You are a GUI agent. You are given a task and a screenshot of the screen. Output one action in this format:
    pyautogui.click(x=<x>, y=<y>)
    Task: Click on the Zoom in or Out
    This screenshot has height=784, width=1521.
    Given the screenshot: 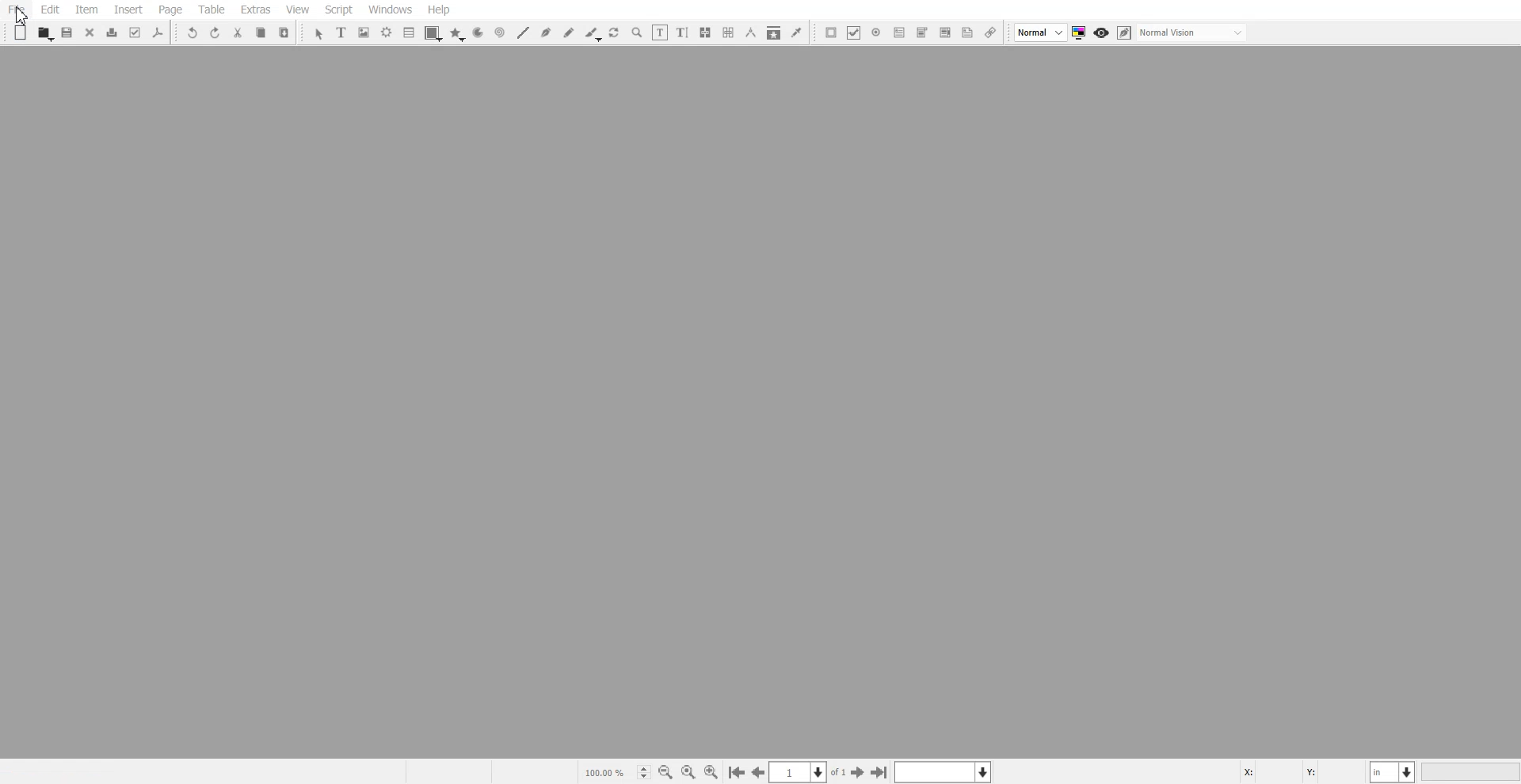 What is the action you would take?
    pyautogui.click(x=637, y=32)
    